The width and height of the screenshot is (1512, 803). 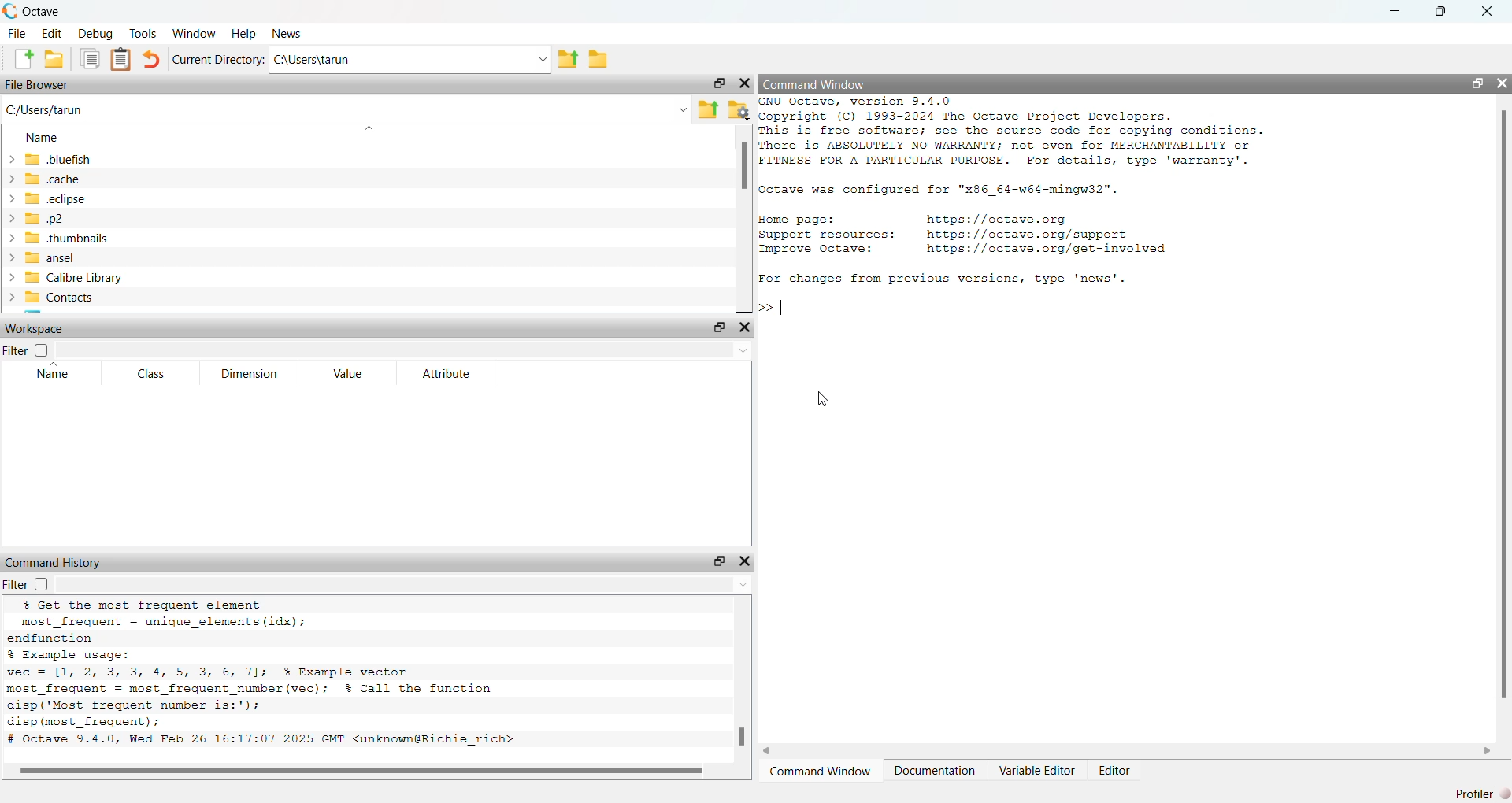 What do you see at coordinates (97, 32) in the screenshot?
I see `Debug` at bounding box center [97, 32].